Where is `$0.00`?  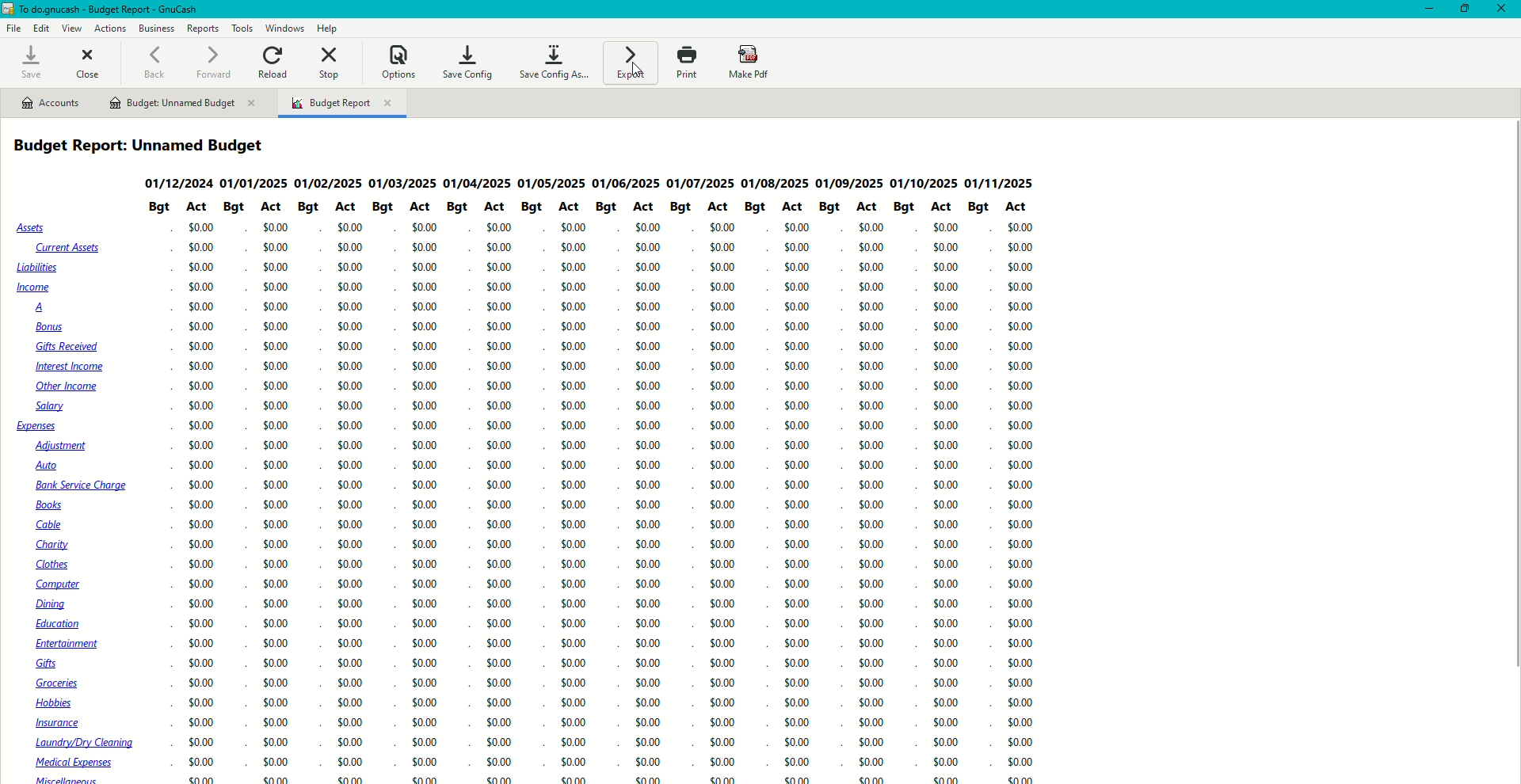
$0.00 is located at coordinates (422, 643).